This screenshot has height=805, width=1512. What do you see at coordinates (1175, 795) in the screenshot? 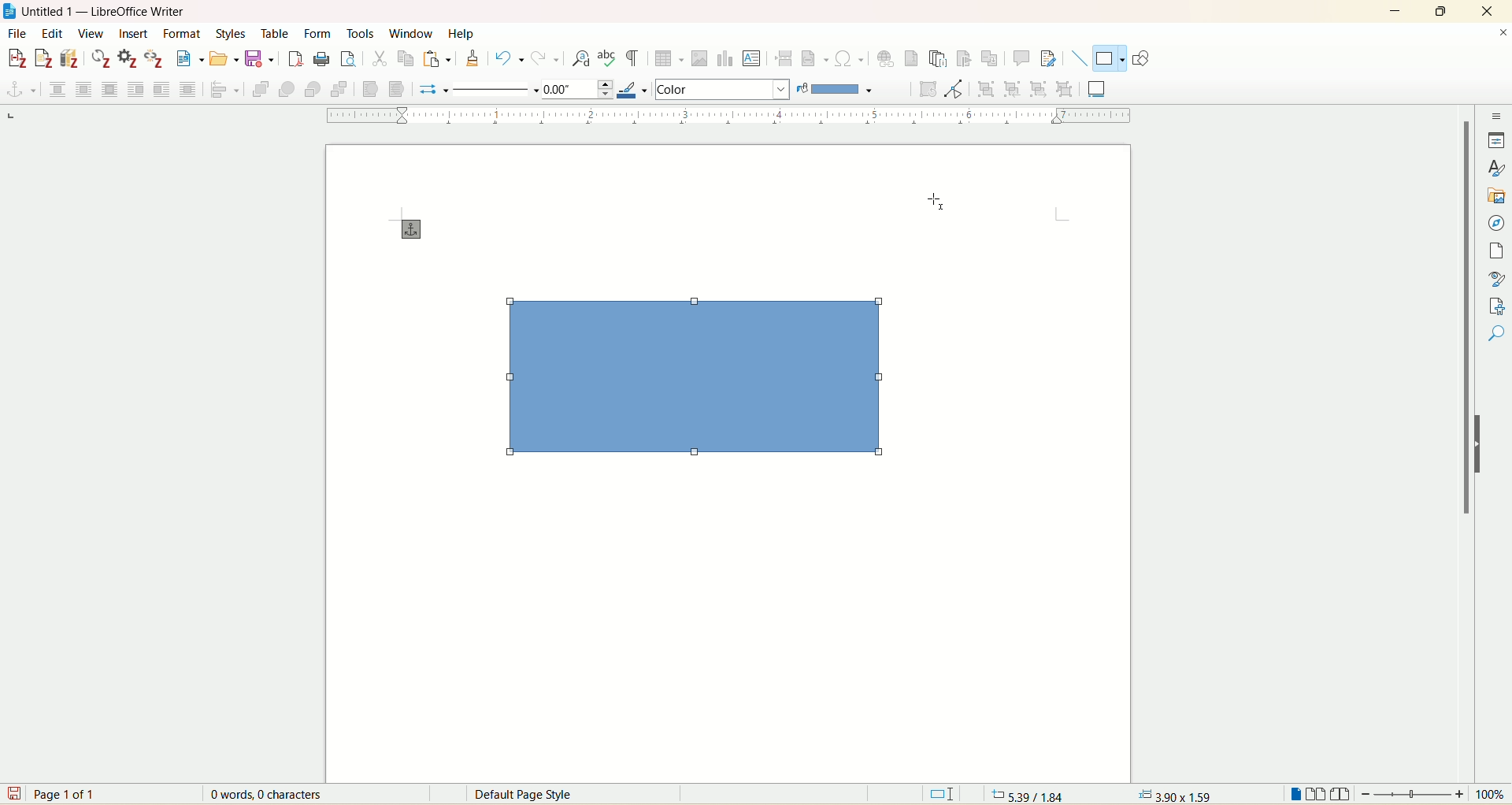
I see `3.90X1.59` at bounding box center [1175, 795].